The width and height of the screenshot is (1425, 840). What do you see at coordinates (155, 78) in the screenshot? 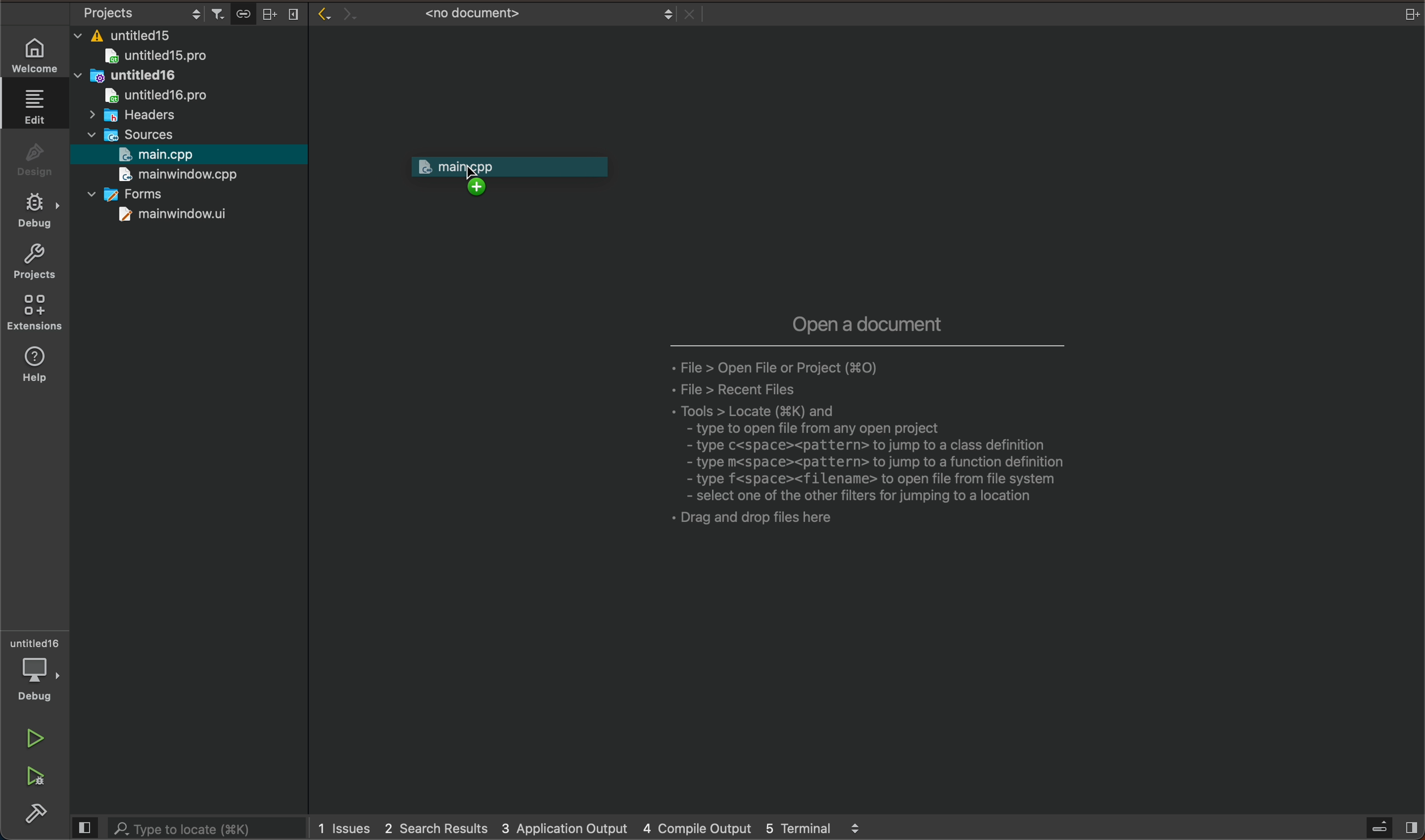
I see `untitled16` at bounding box center [155, 78].